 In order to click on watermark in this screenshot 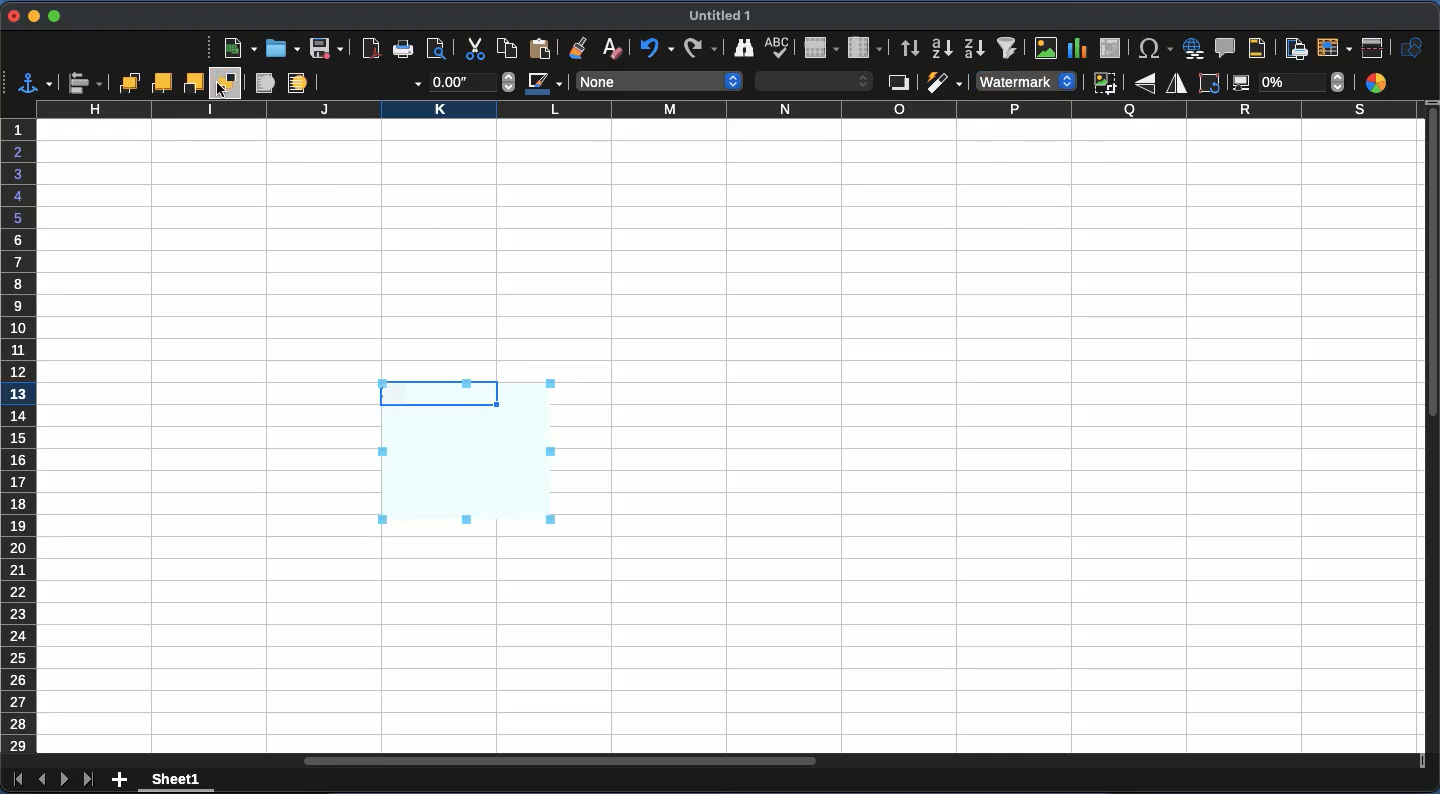, I will do `click(470, 452)`.